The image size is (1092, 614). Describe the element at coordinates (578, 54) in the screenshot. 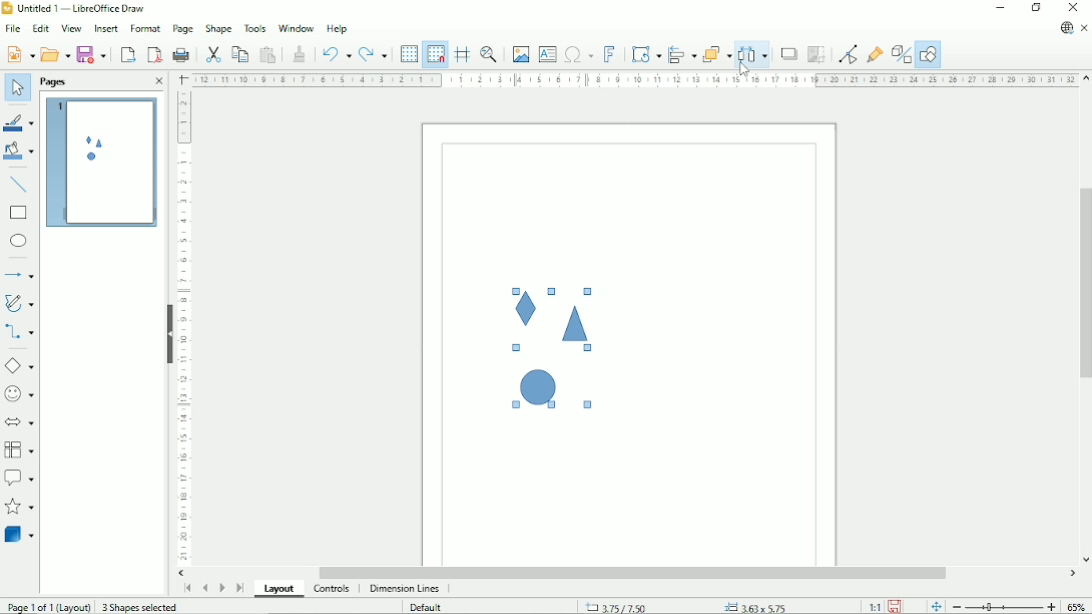

I see `Insert special characters` at that location.